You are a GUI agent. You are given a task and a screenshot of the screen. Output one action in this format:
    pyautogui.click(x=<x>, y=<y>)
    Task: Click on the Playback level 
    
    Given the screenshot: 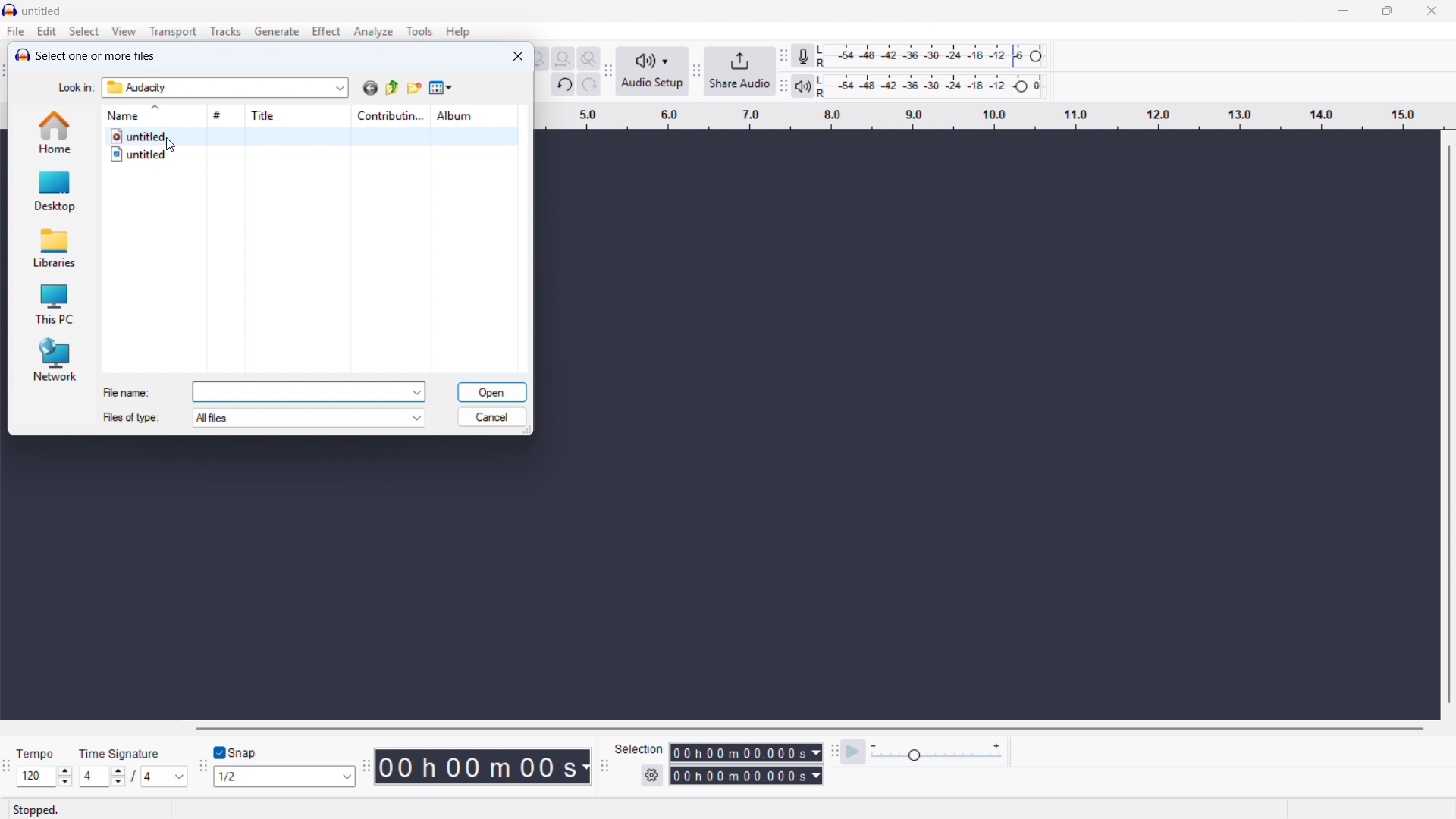 What is the action you would take?
    pyautogui.click(x=934, y=86)
    